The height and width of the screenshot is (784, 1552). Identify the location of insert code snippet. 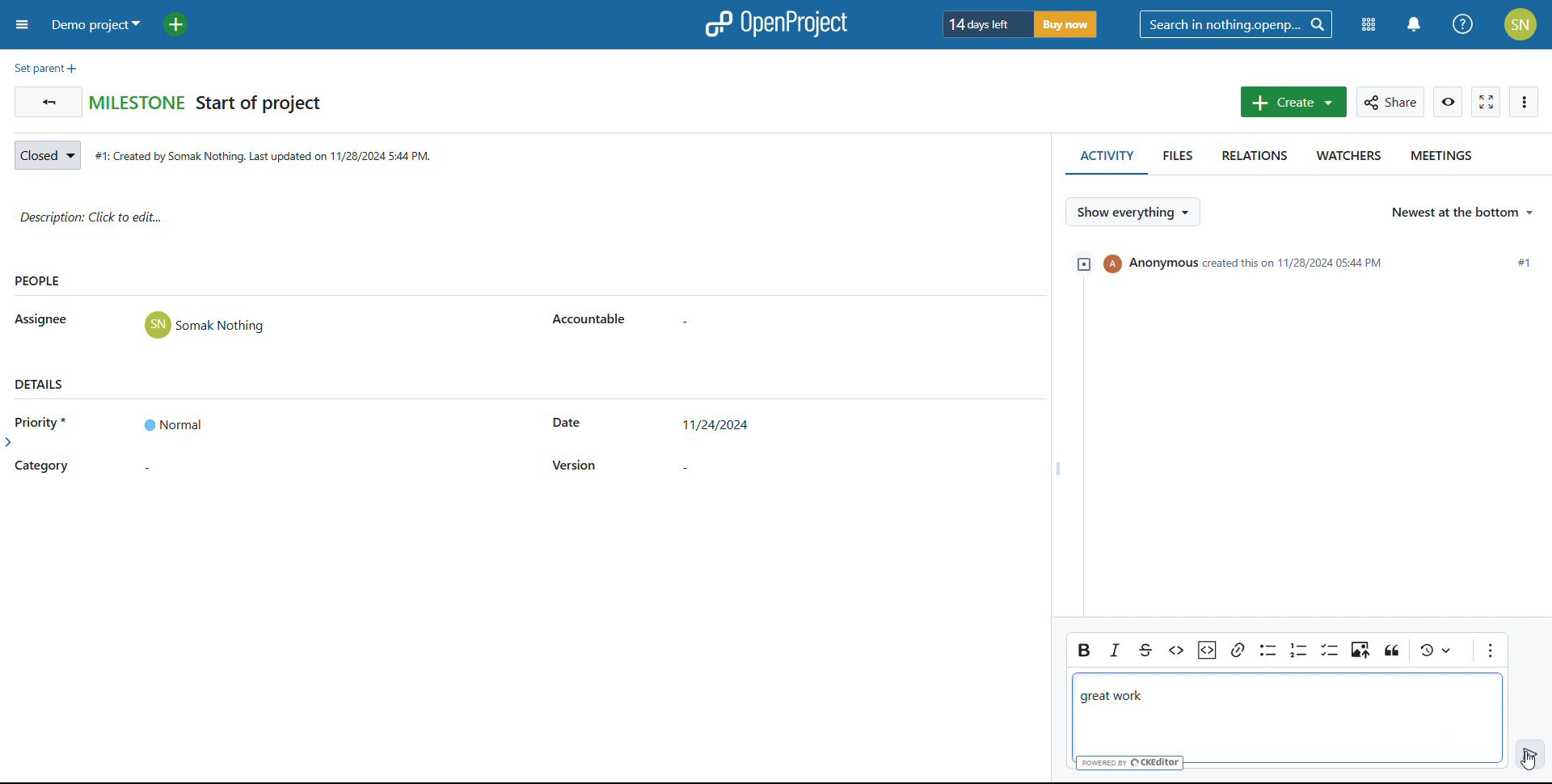
(1208, 650).